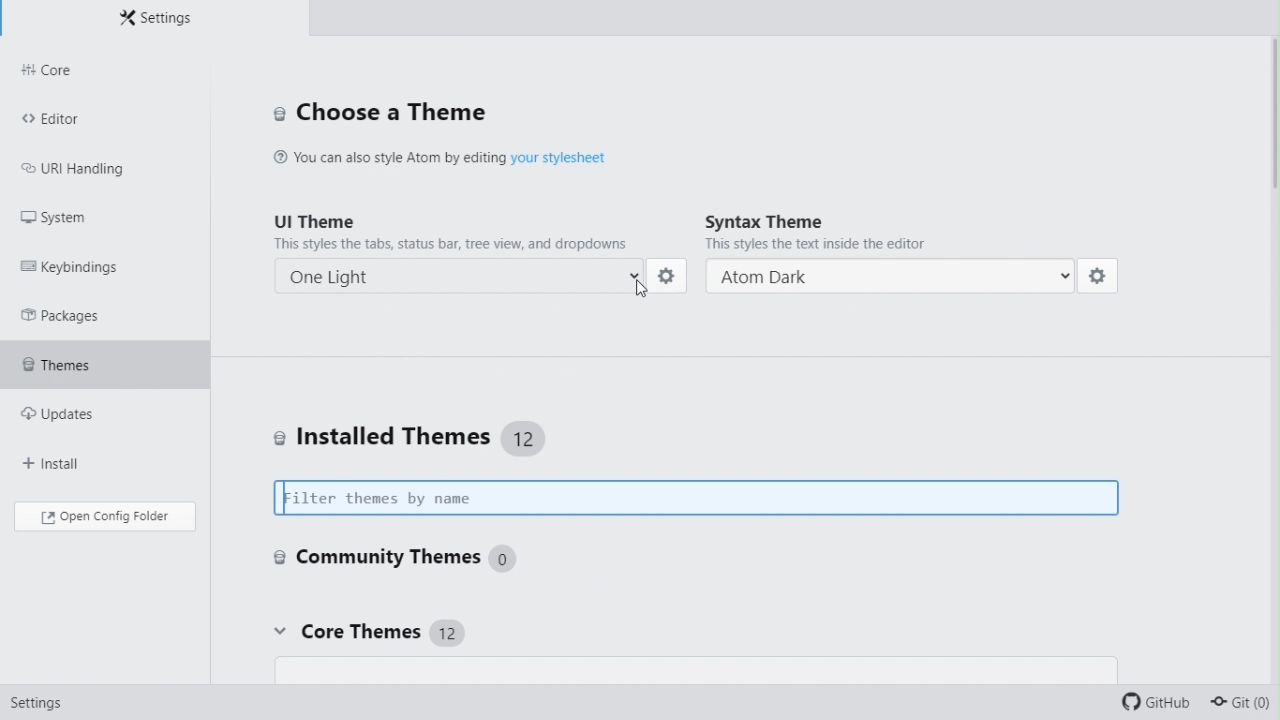 This screenshot has width=1280, height=720. Describe the element at coordinates (39, 701) in the screenshot. I see `setting` at that location.